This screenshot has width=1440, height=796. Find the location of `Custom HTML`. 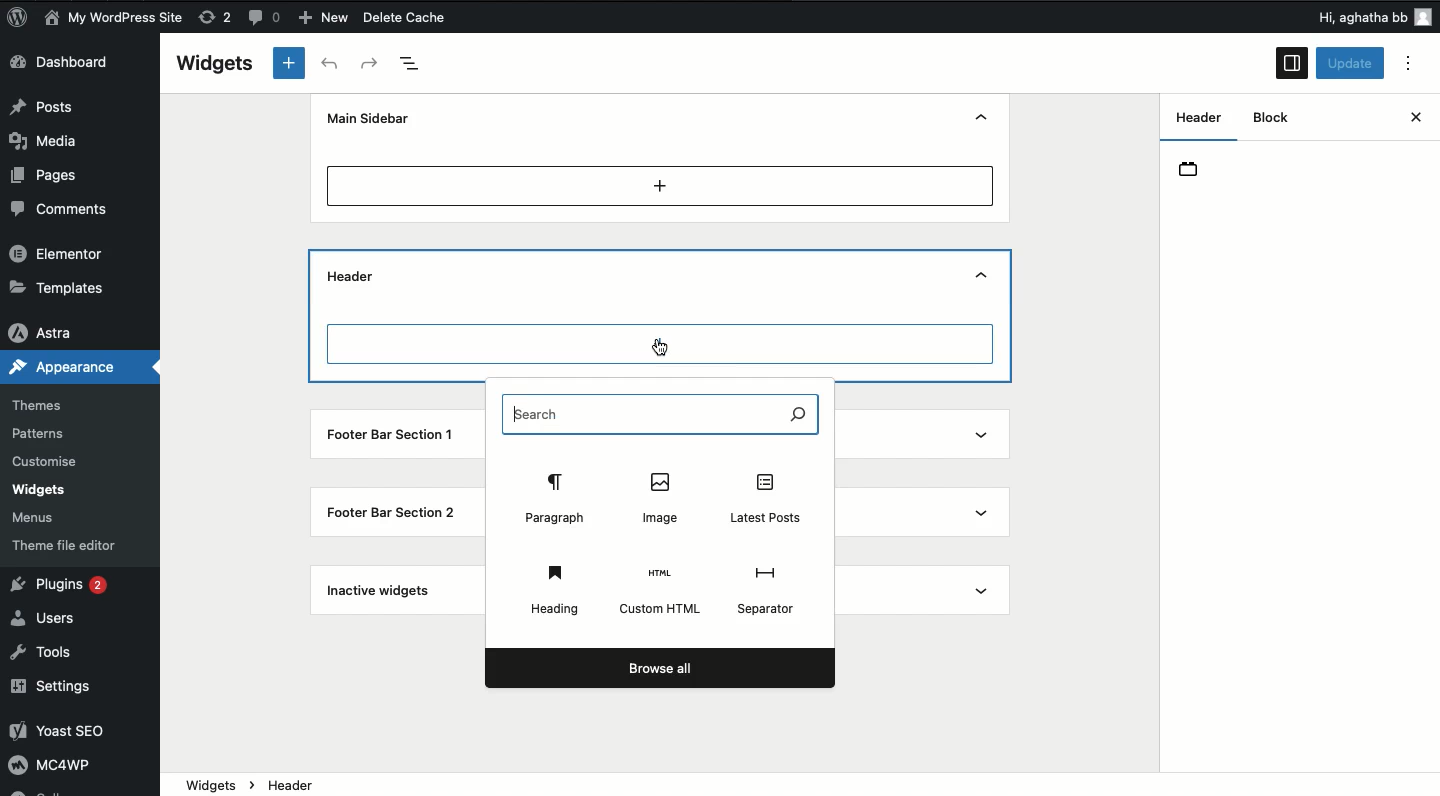

Custom HTML is located at coordinates (661, 592).